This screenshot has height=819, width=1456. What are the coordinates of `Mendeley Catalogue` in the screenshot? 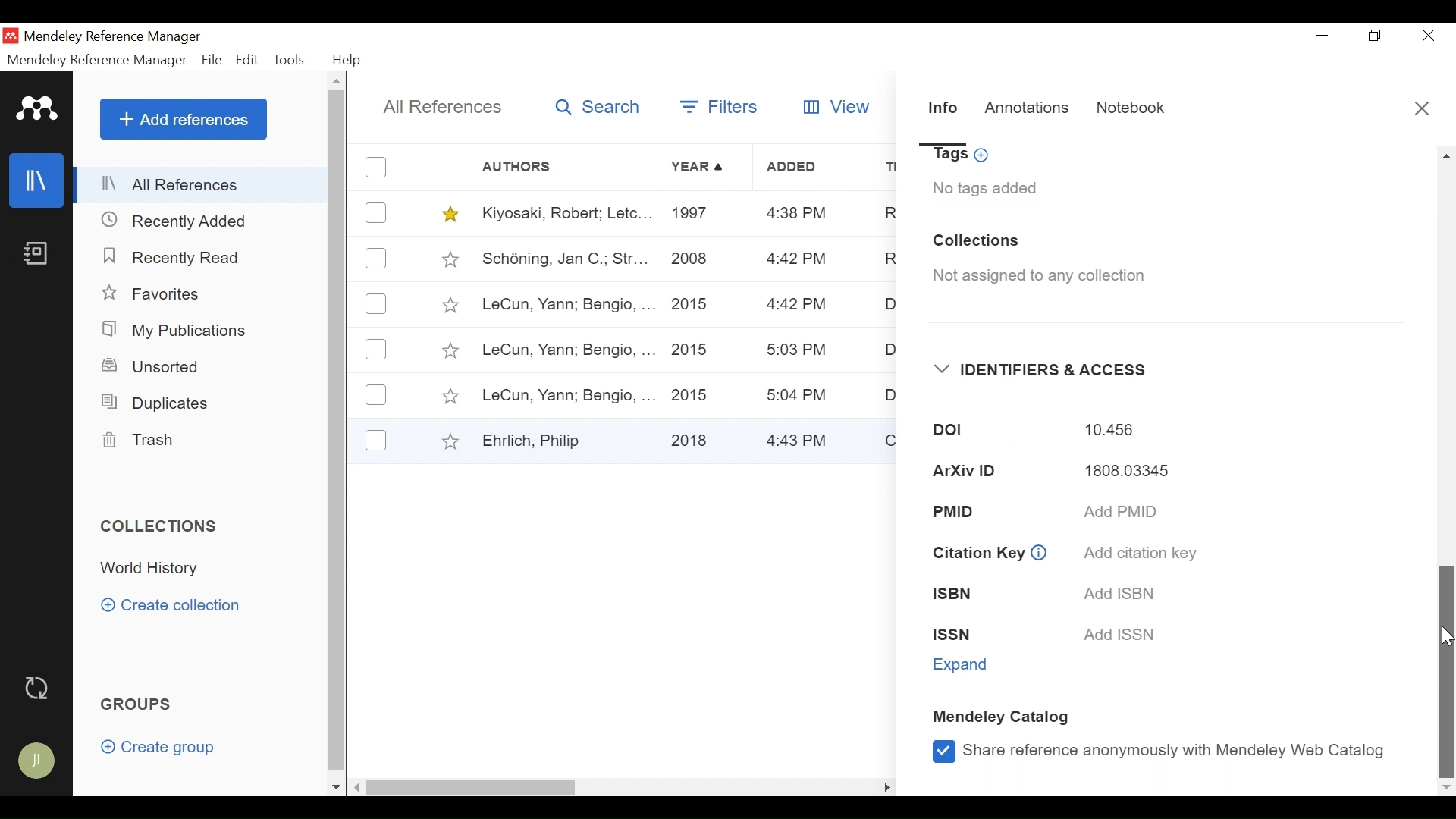 It's located at (1005, 719).